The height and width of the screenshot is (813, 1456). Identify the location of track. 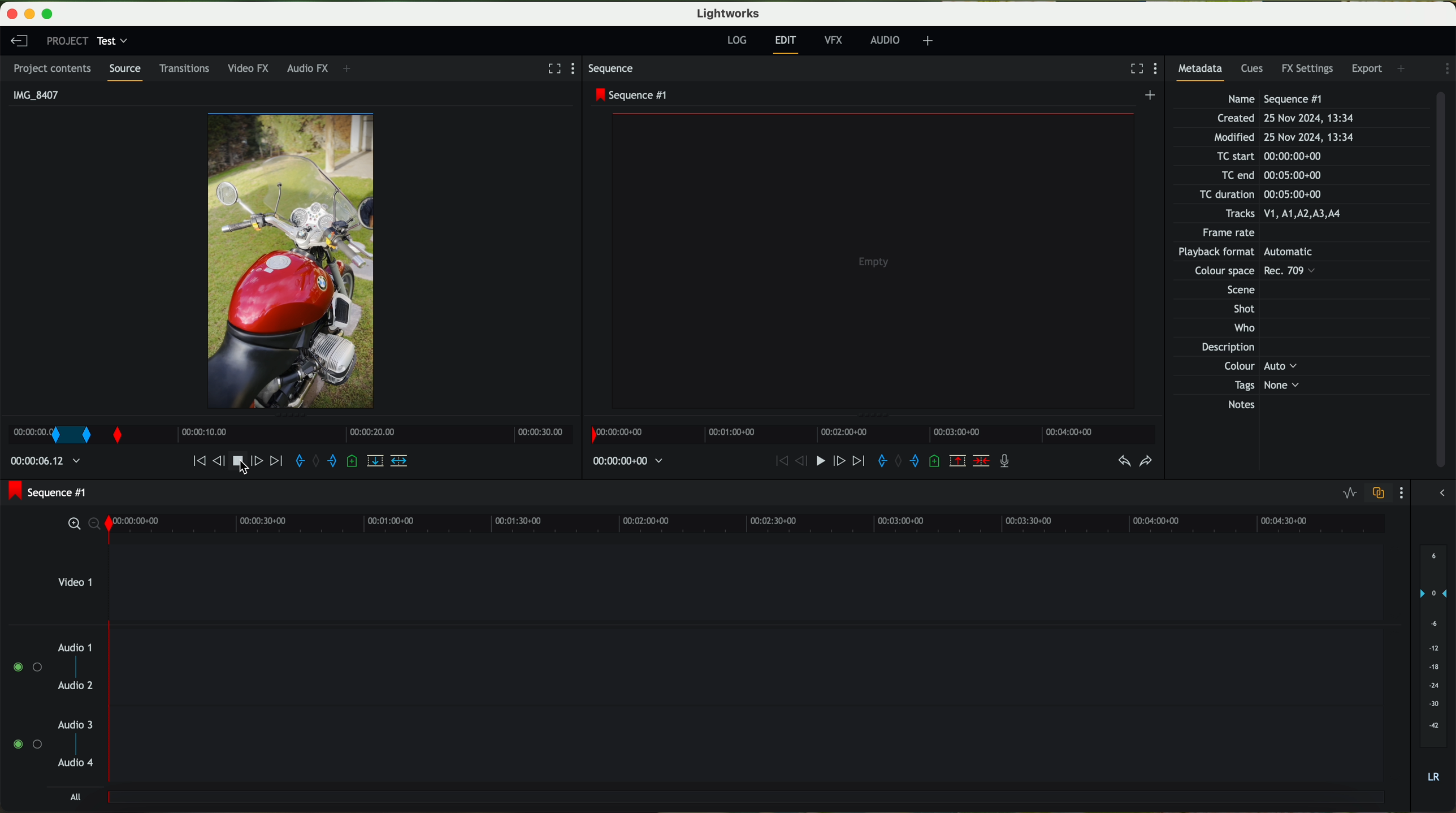
(749, 746).